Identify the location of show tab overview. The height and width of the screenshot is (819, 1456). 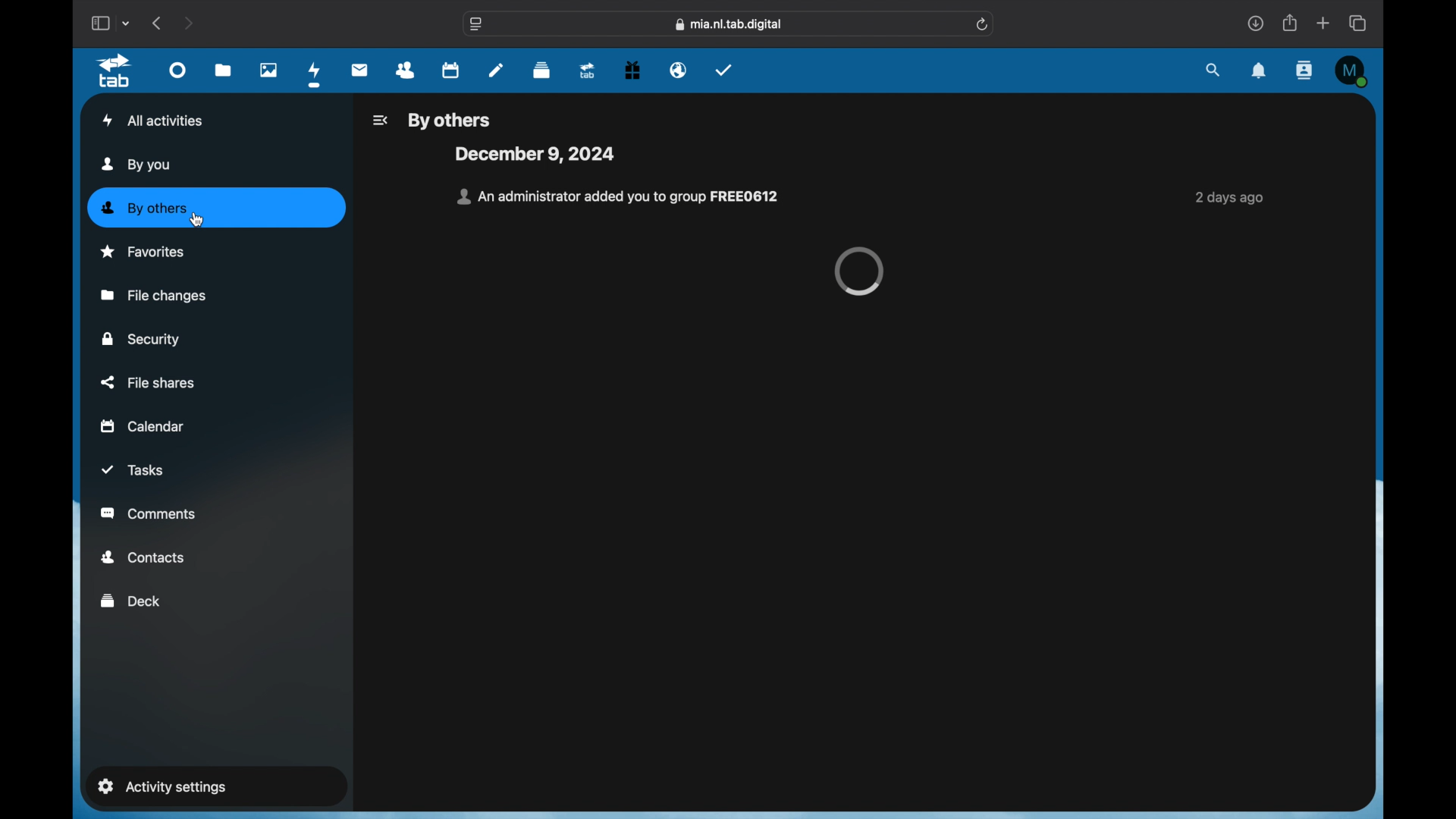
(1359, 23).